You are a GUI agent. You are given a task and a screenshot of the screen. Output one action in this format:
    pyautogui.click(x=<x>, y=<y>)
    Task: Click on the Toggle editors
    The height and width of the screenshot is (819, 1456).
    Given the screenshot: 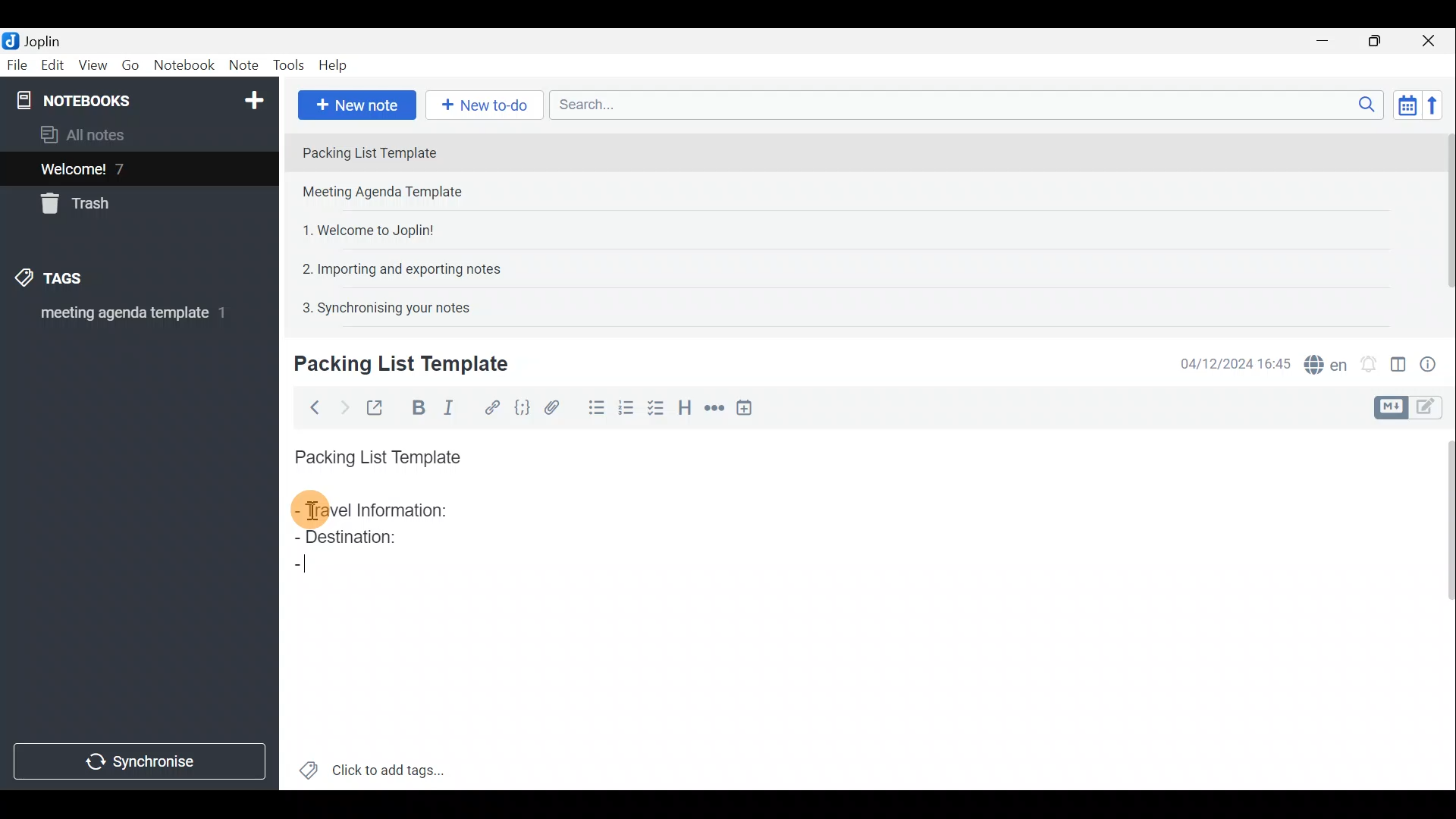 What is the action you would take?
    pyautogui.click(x=1393, y=406)
    